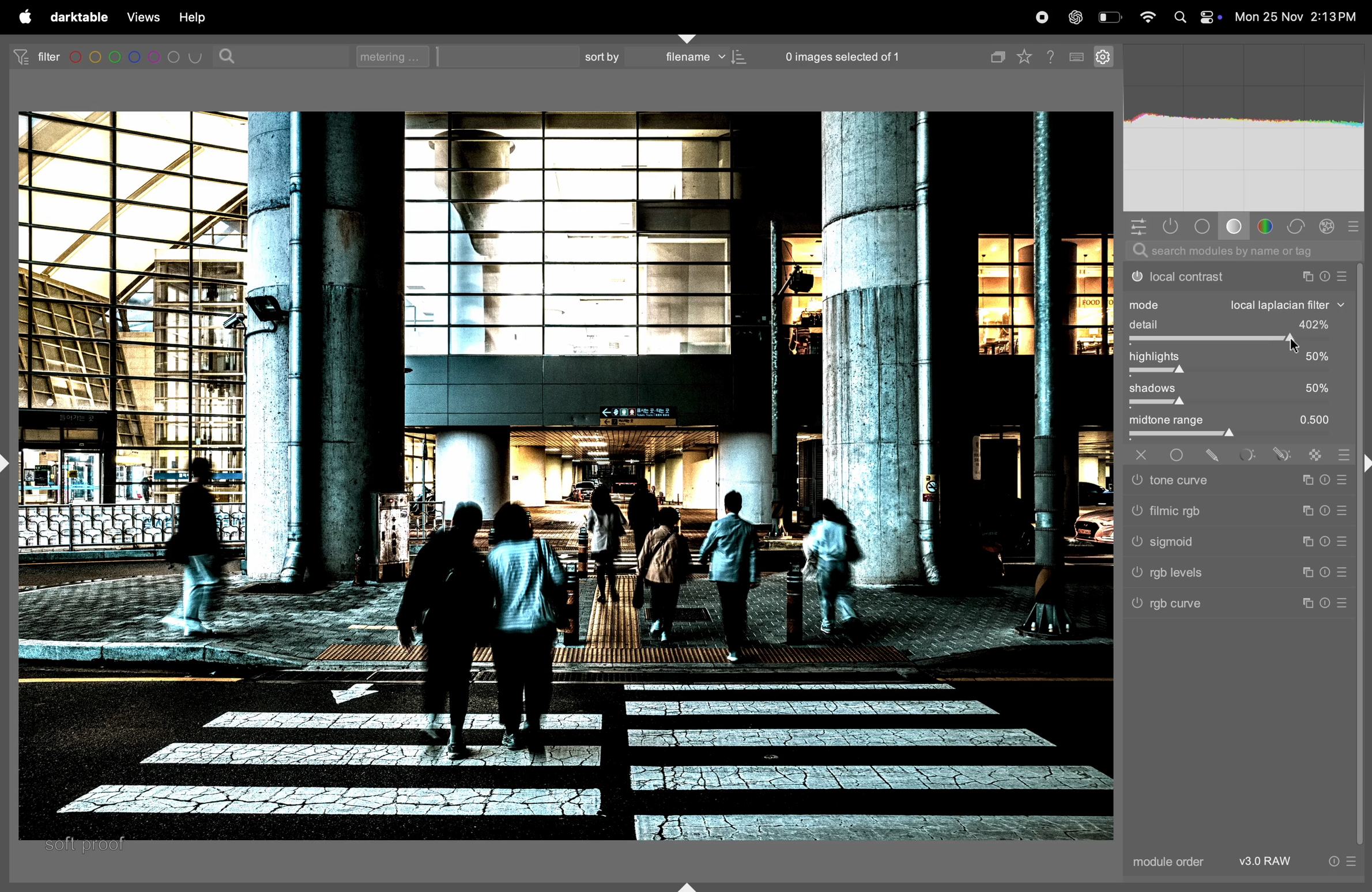 Image resolution: width=1372 pixels, height=892 pixels. I want to click on quick acesss panel, so click(1138, 226).